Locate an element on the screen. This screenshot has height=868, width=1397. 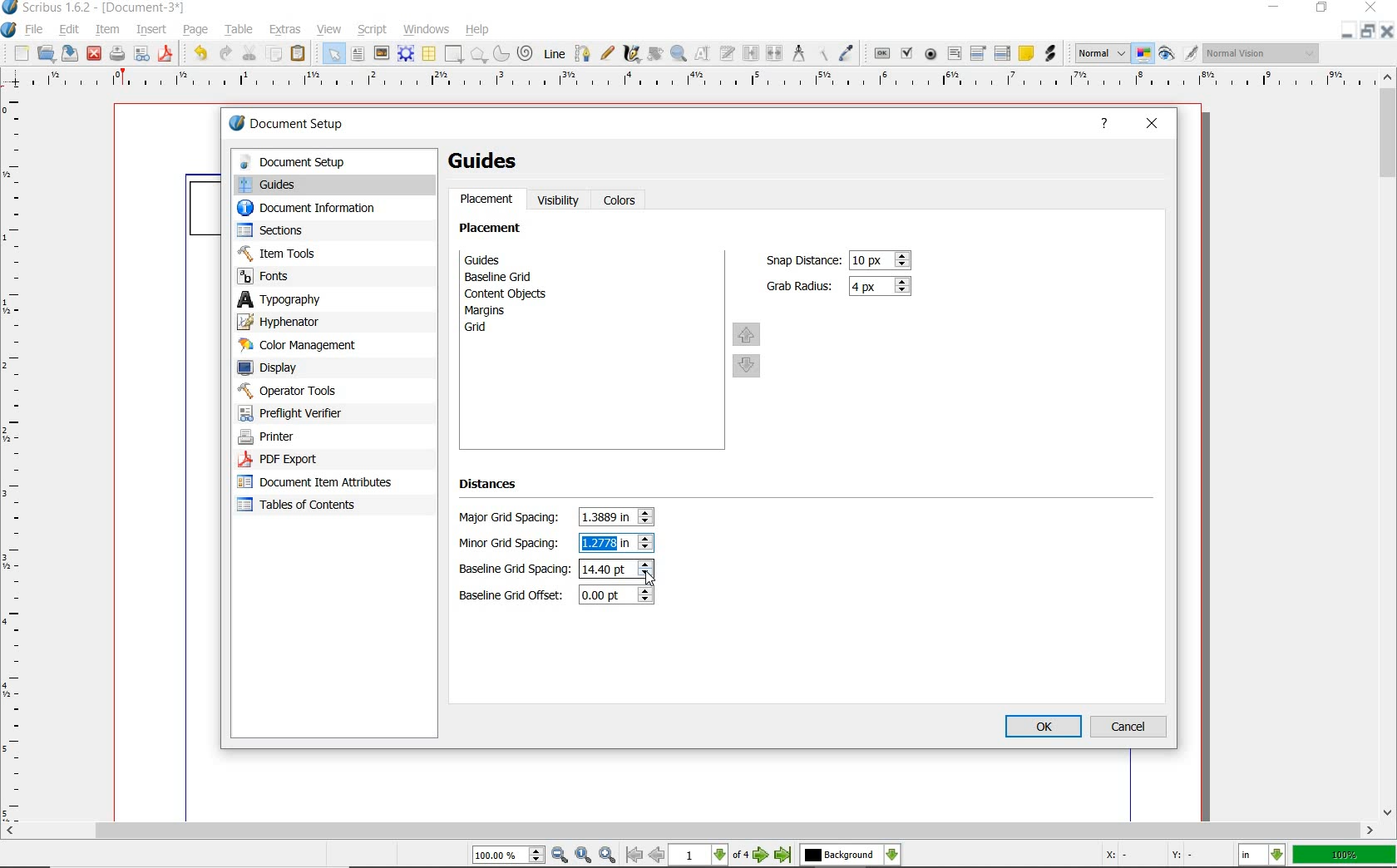
page is located at coordinates (195, 31).